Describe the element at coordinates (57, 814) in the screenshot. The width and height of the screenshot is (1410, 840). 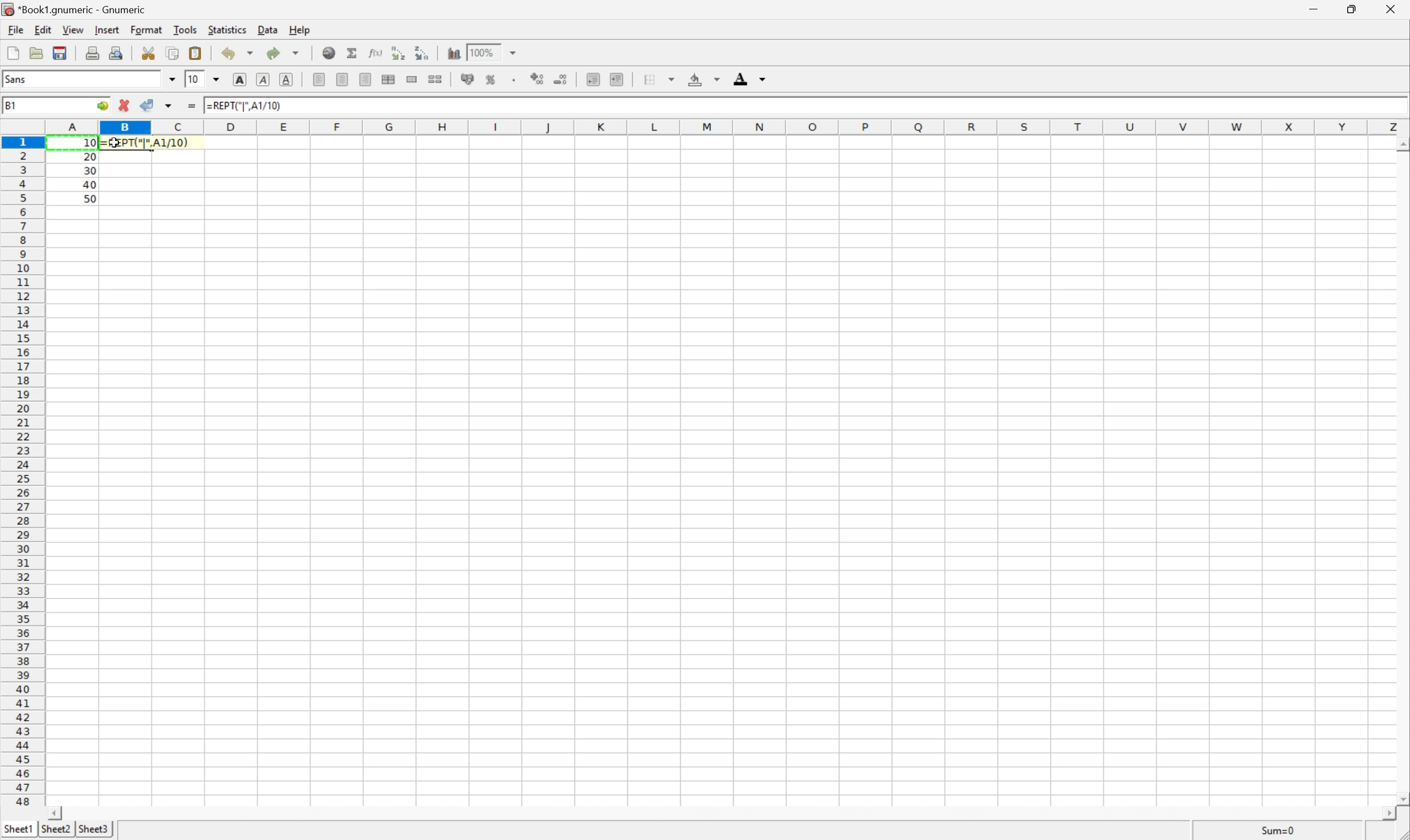
I see `Scroll Left` at that location.